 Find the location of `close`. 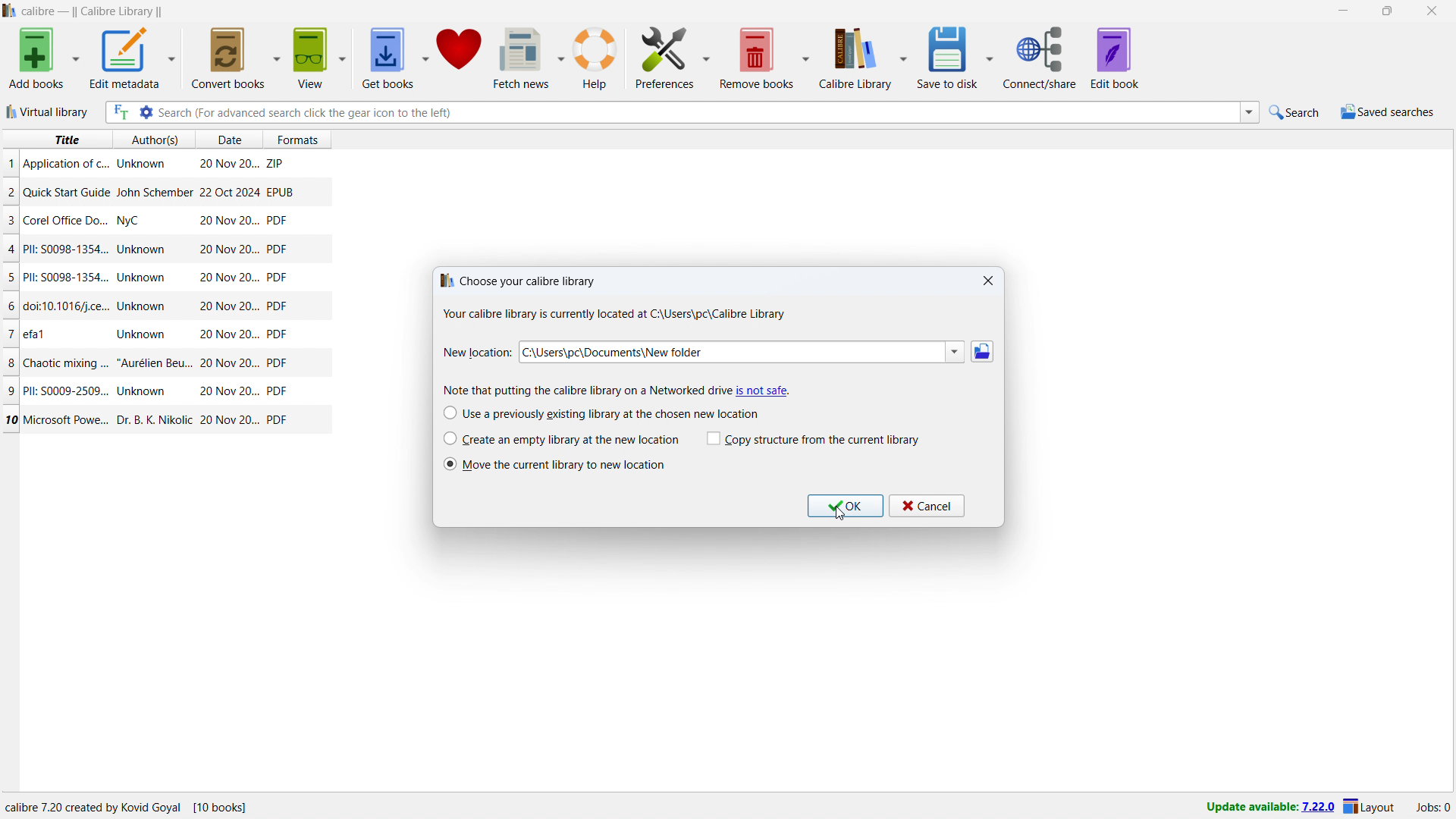

close is located at coordinates (989, 281).